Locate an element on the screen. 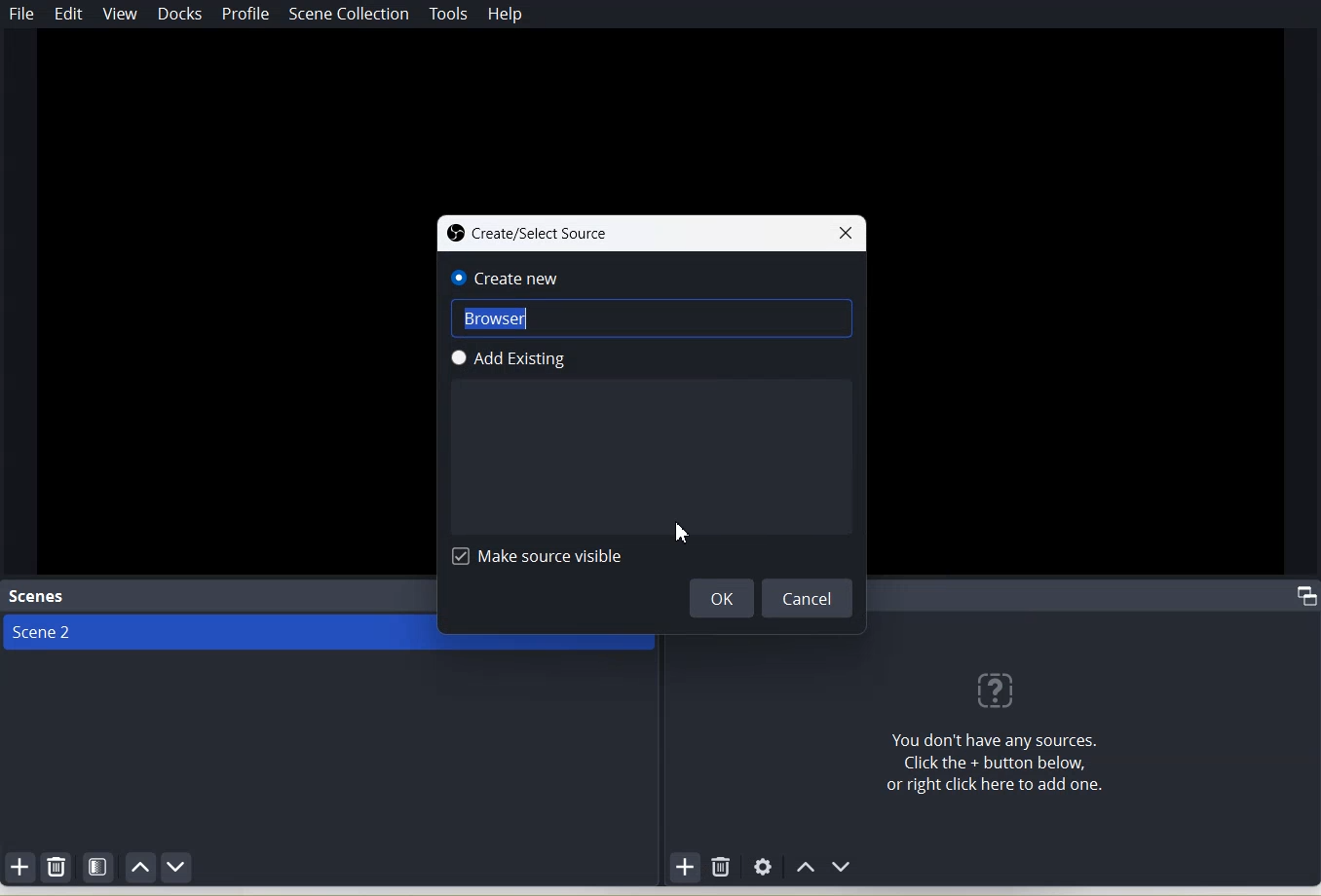 The height and width of the screenshot is (896, 1321). Add Existing is located at coordinates (658, 359).